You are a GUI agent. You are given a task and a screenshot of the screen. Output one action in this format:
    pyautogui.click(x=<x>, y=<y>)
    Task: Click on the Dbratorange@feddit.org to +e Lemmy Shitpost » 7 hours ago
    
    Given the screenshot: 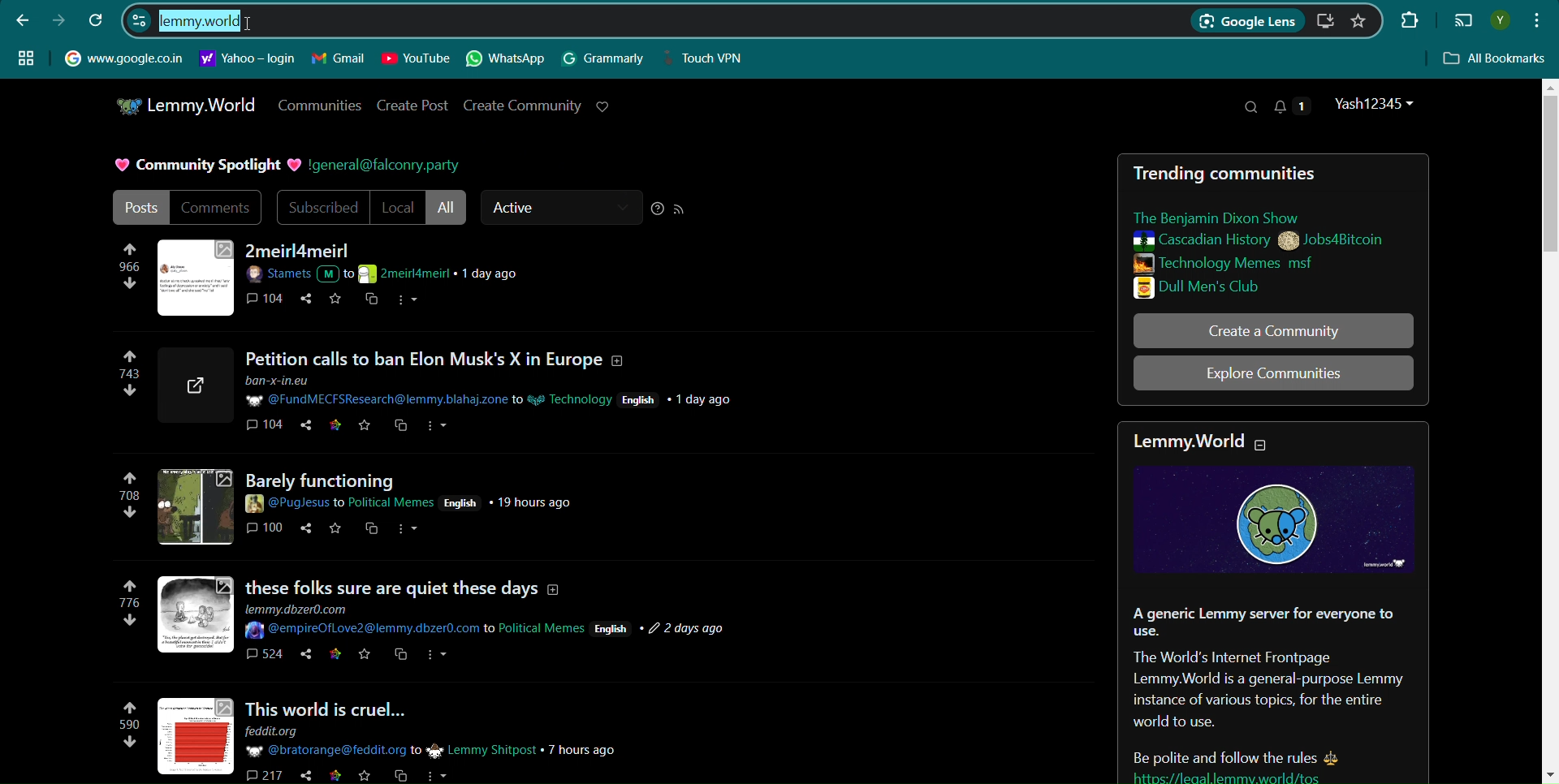 What is the action you would take?
    pyautogui.click(x=432, y=750)
    